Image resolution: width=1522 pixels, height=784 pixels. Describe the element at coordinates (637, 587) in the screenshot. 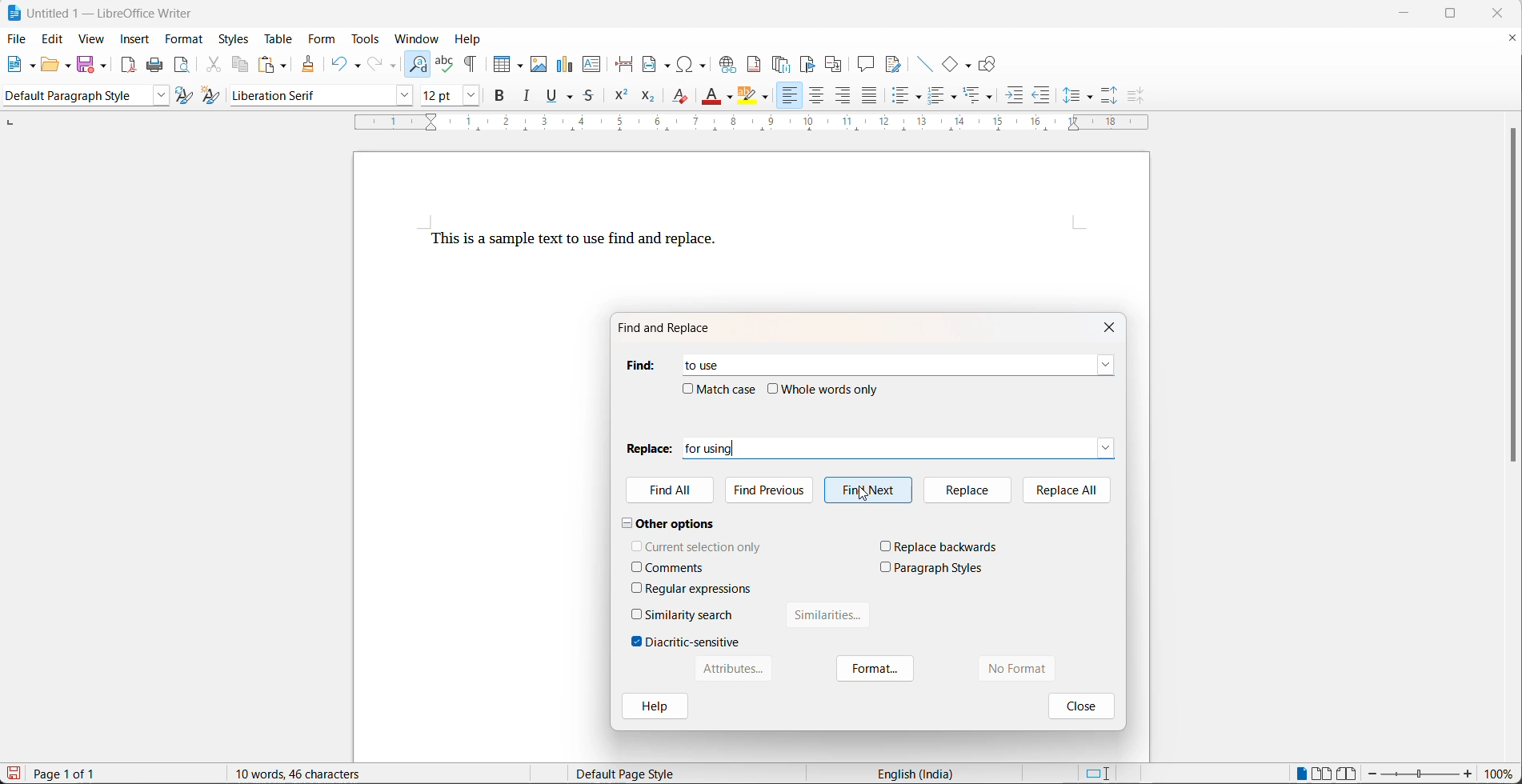

I see `checkbox` at that location.